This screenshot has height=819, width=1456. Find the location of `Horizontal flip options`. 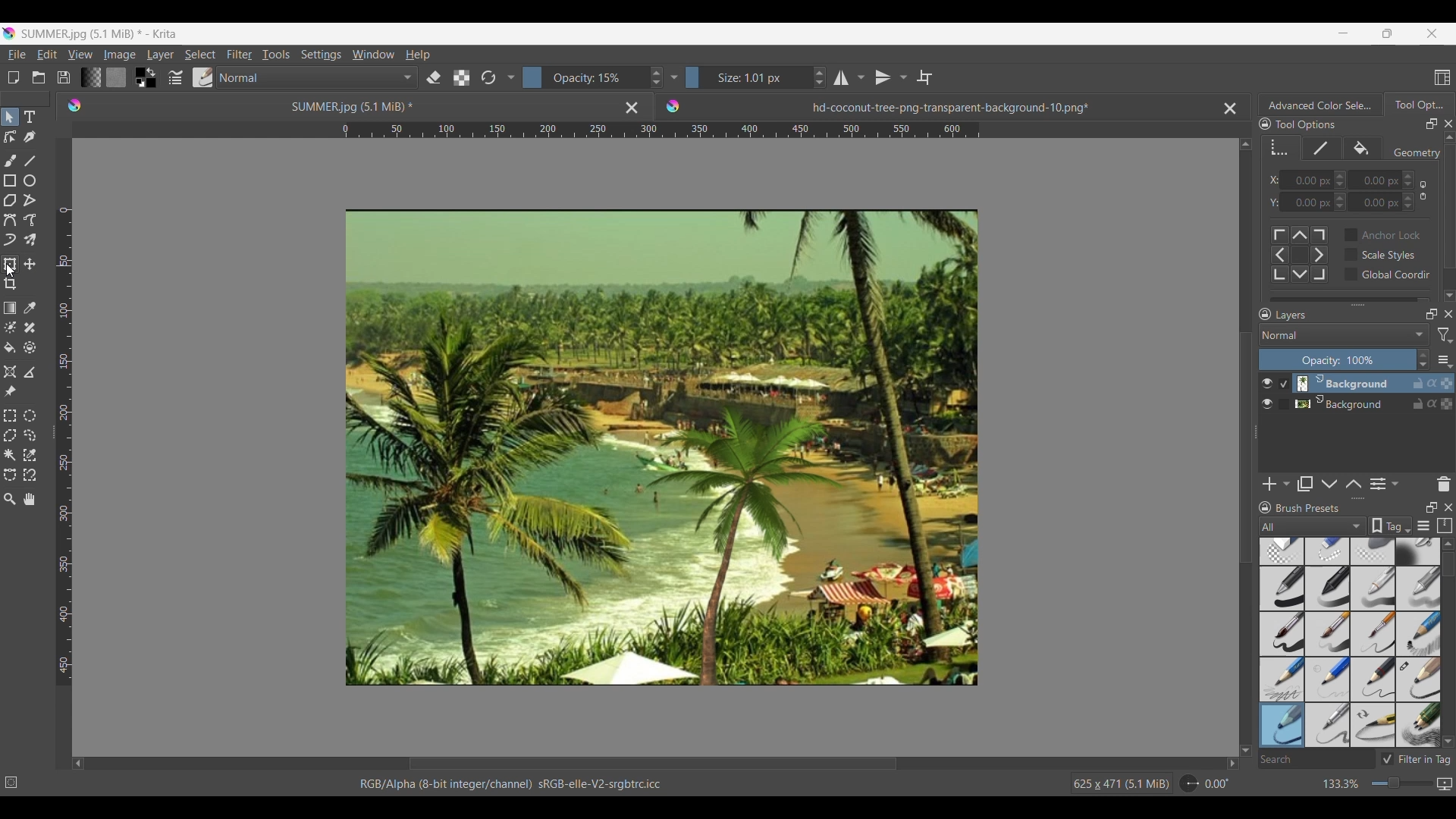

Horizontal flip options is located at coordinates (861, 77).